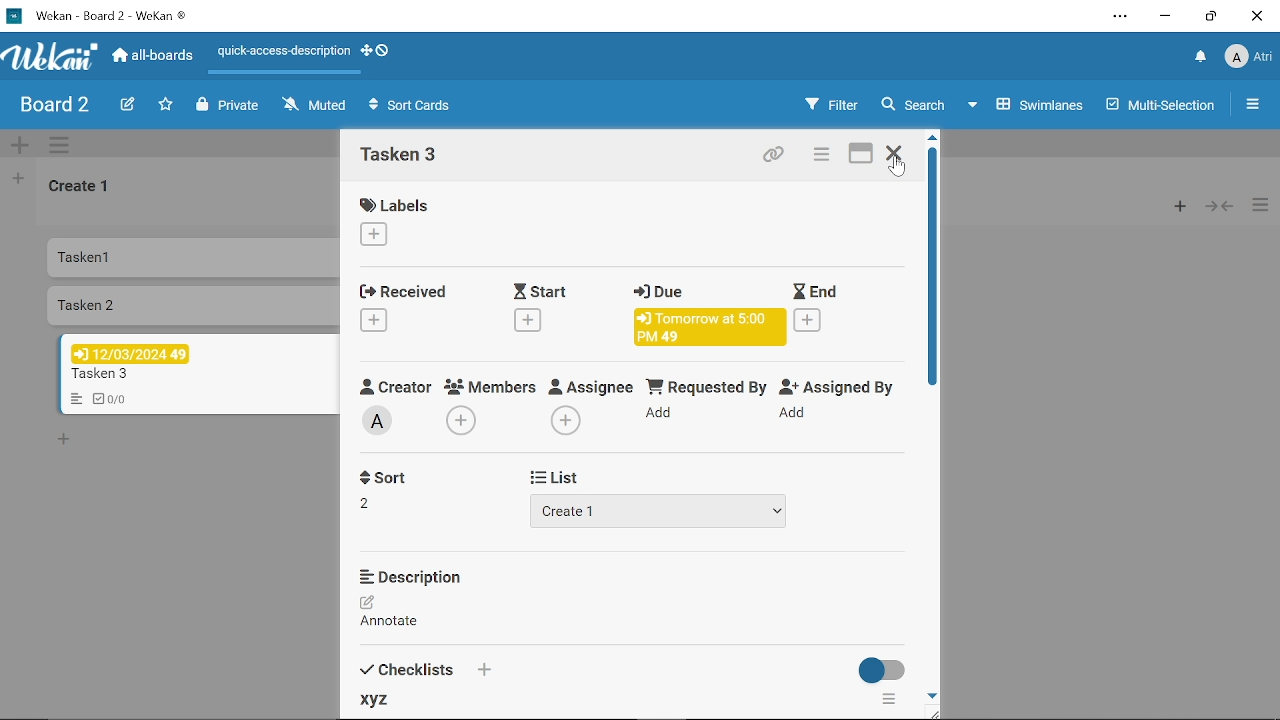 The width and height of the screenshot is (1280, 720). Describe the element at coordinates (63, 436) in the screenshot. I see `Add` at that location.